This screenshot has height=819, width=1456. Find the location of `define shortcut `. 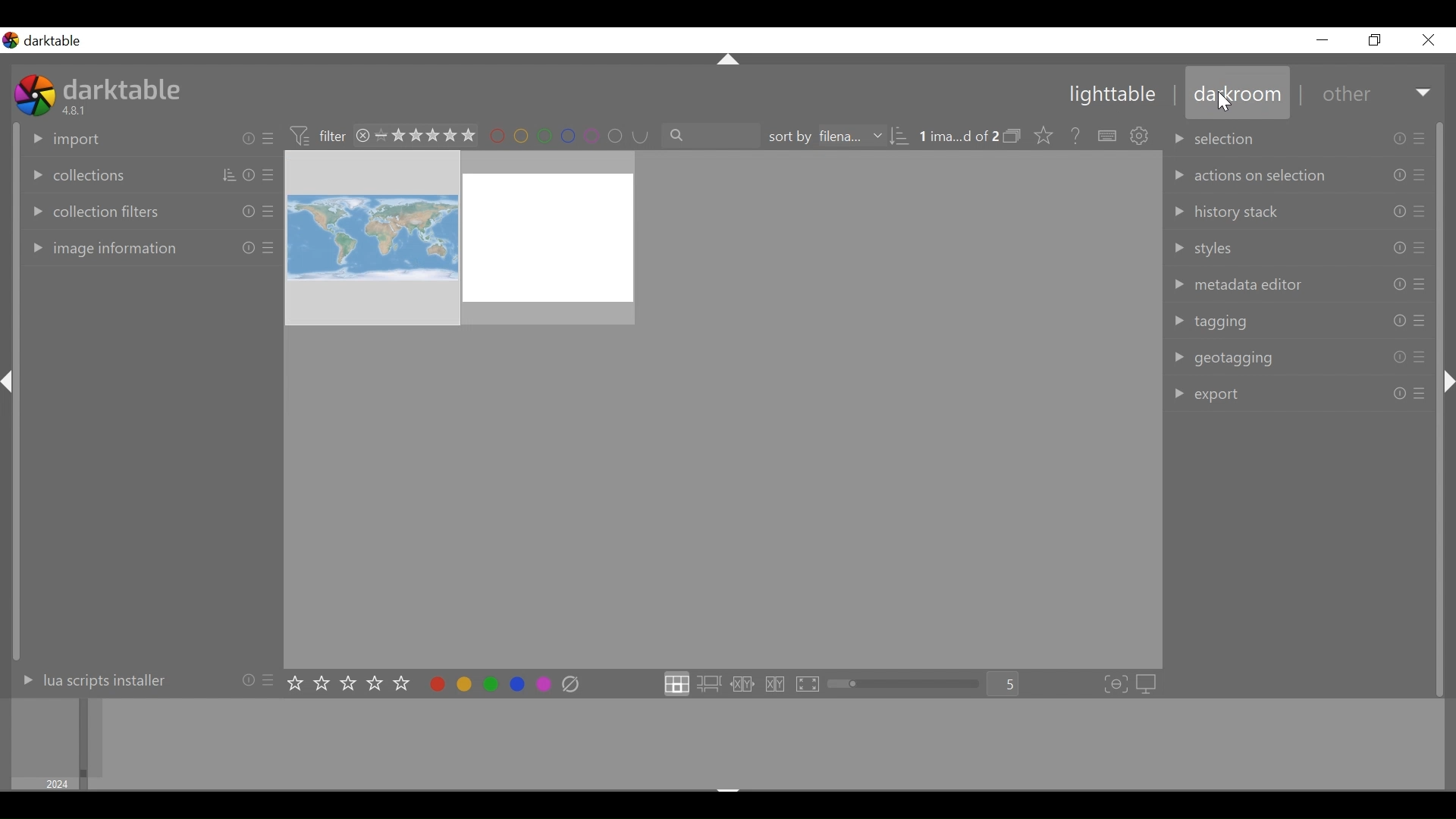

define shortcut  is located at coordinates (1105, 136).